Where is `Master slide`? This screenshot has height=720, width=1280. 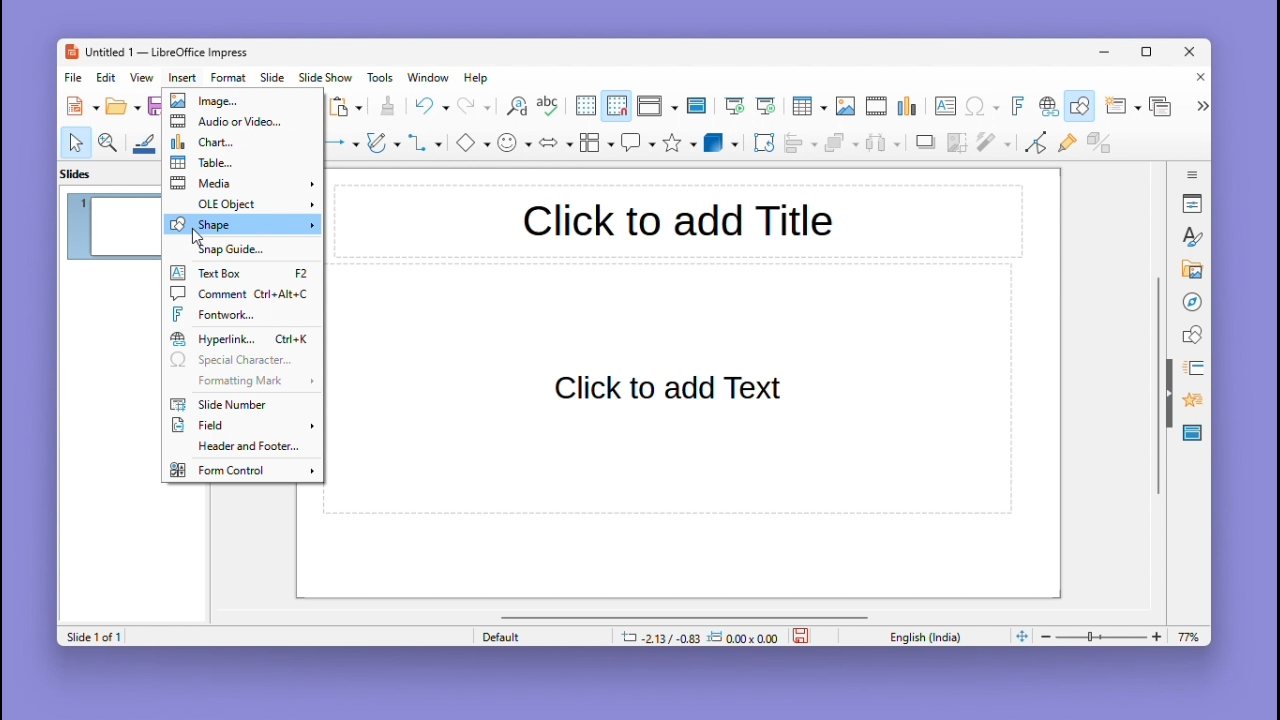
Master slide is located at coordinates (699, 105).